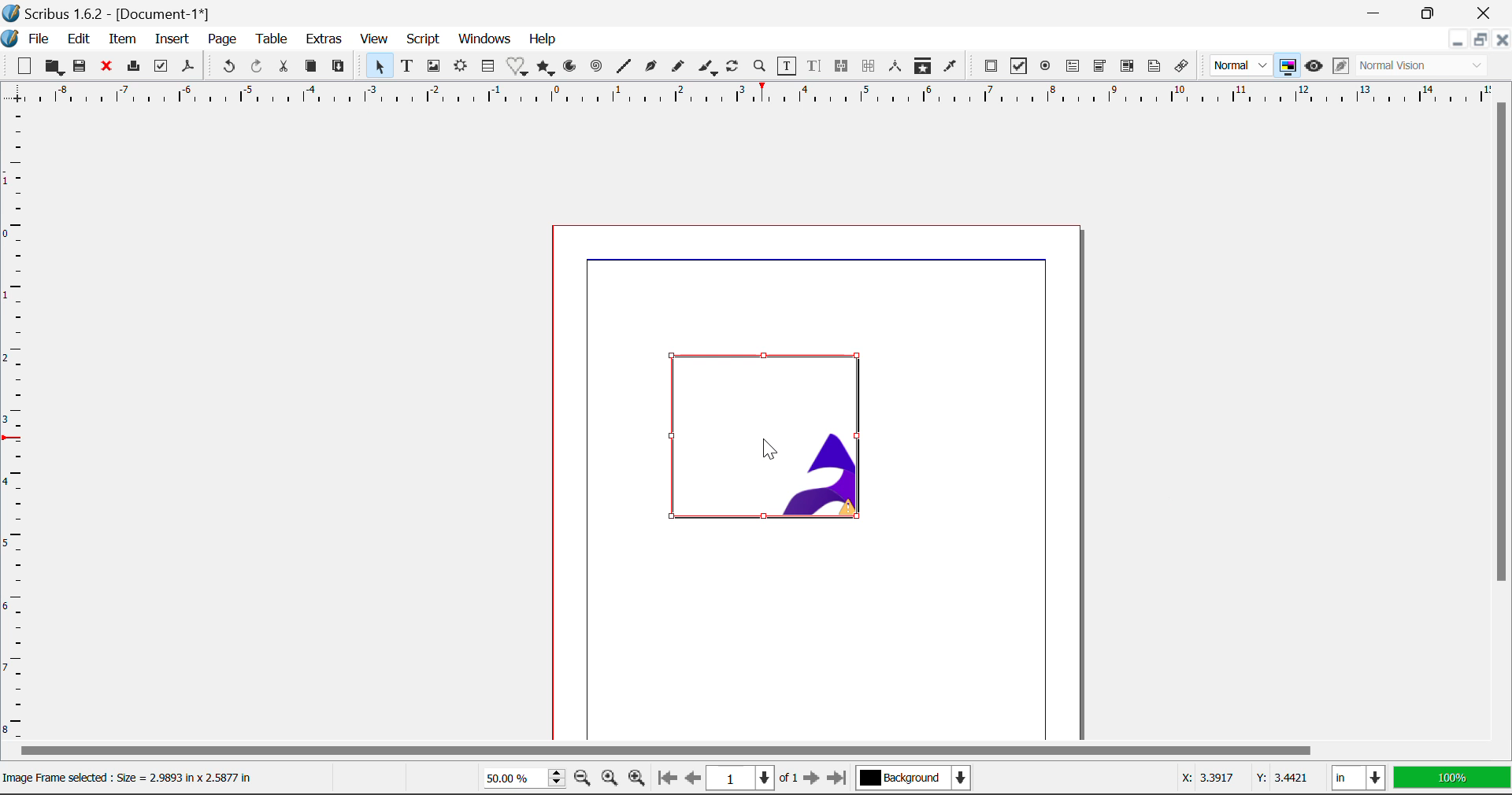 The width and height of the screenshot is (1512, 795). I want to click on Measurement Unit, so click(1356, 777).